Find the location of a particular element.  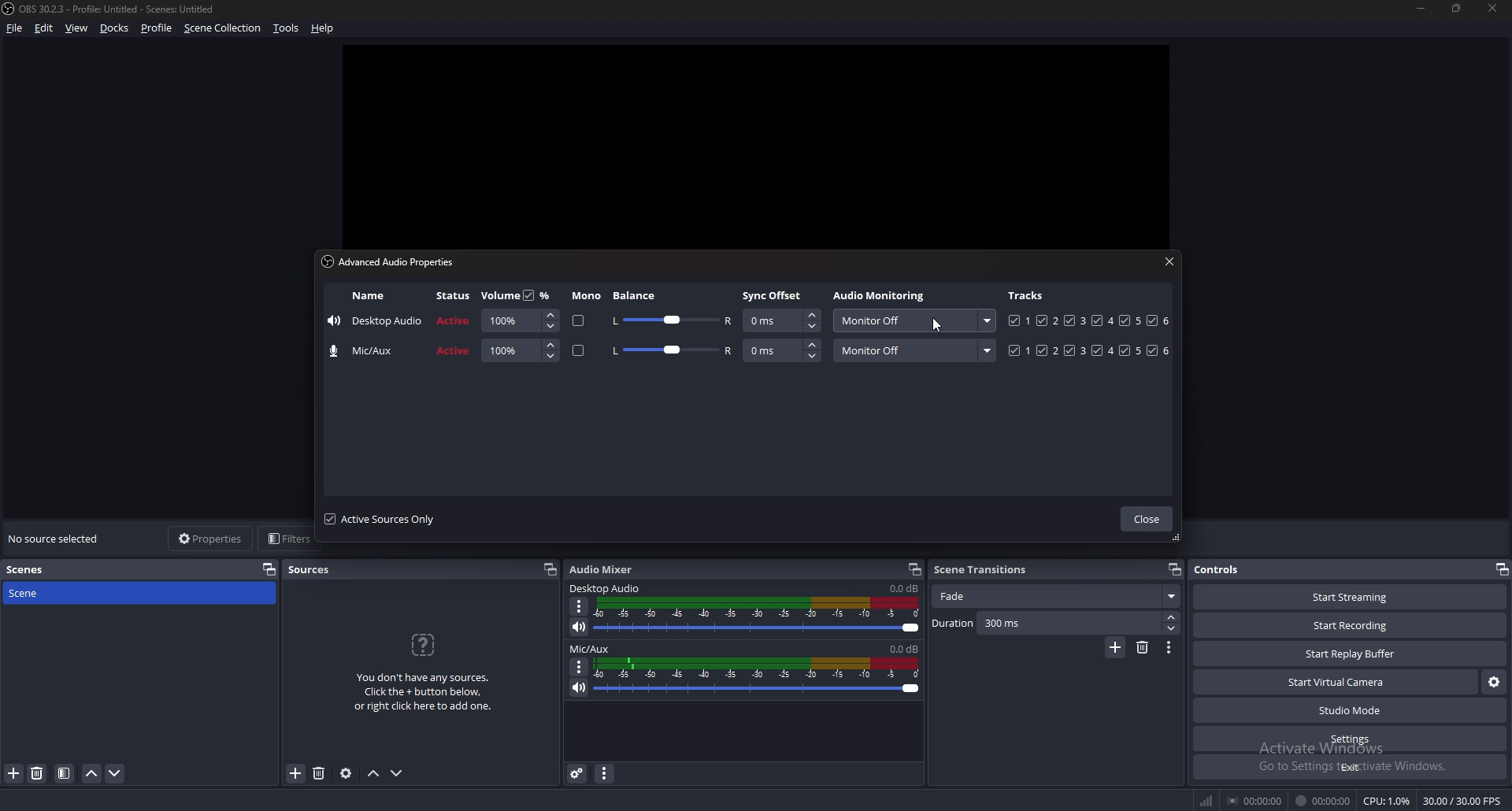

sync offset adjust is located at coordinates (781, 320).